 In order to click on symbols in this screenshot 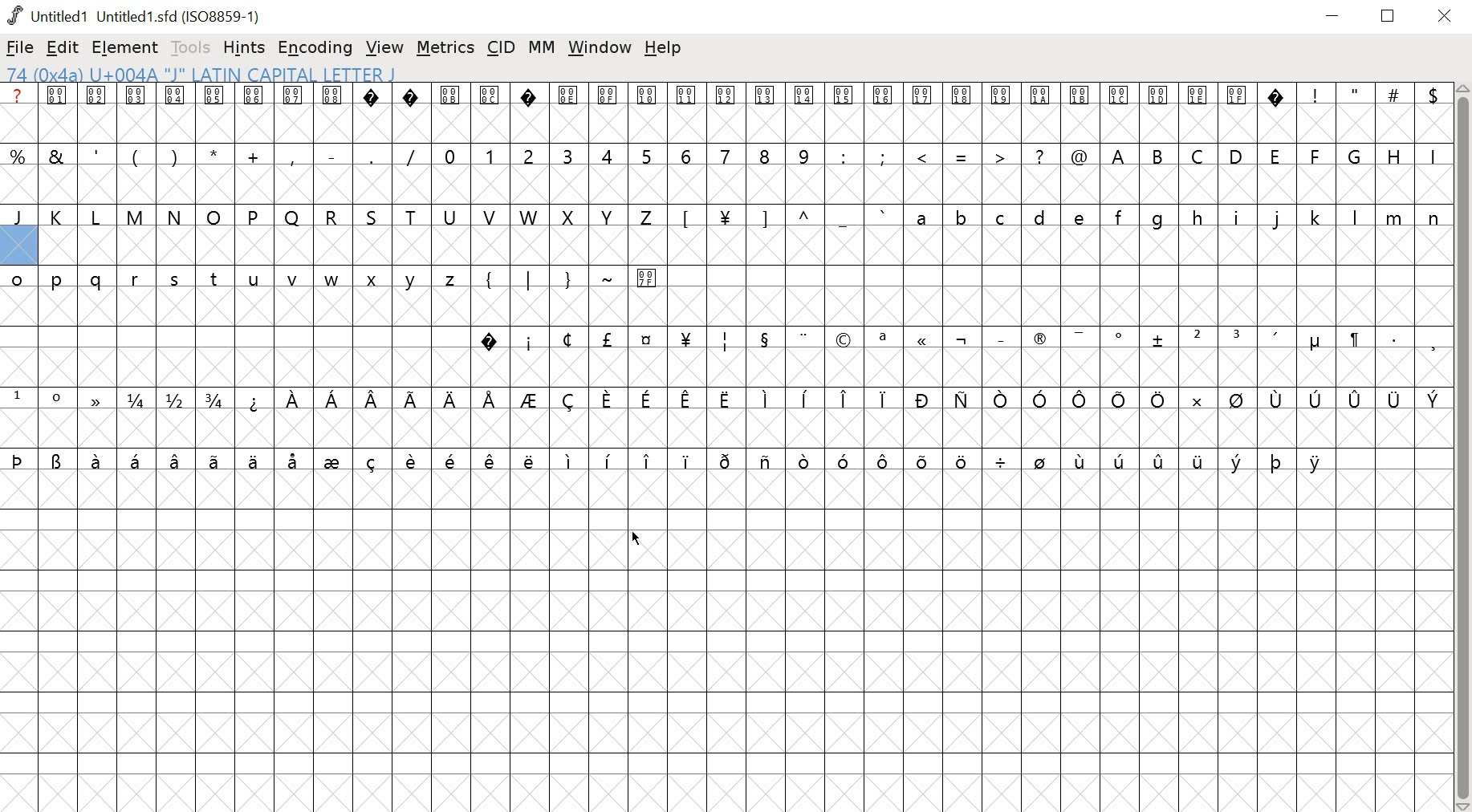, I will do `click(671, 461)`.